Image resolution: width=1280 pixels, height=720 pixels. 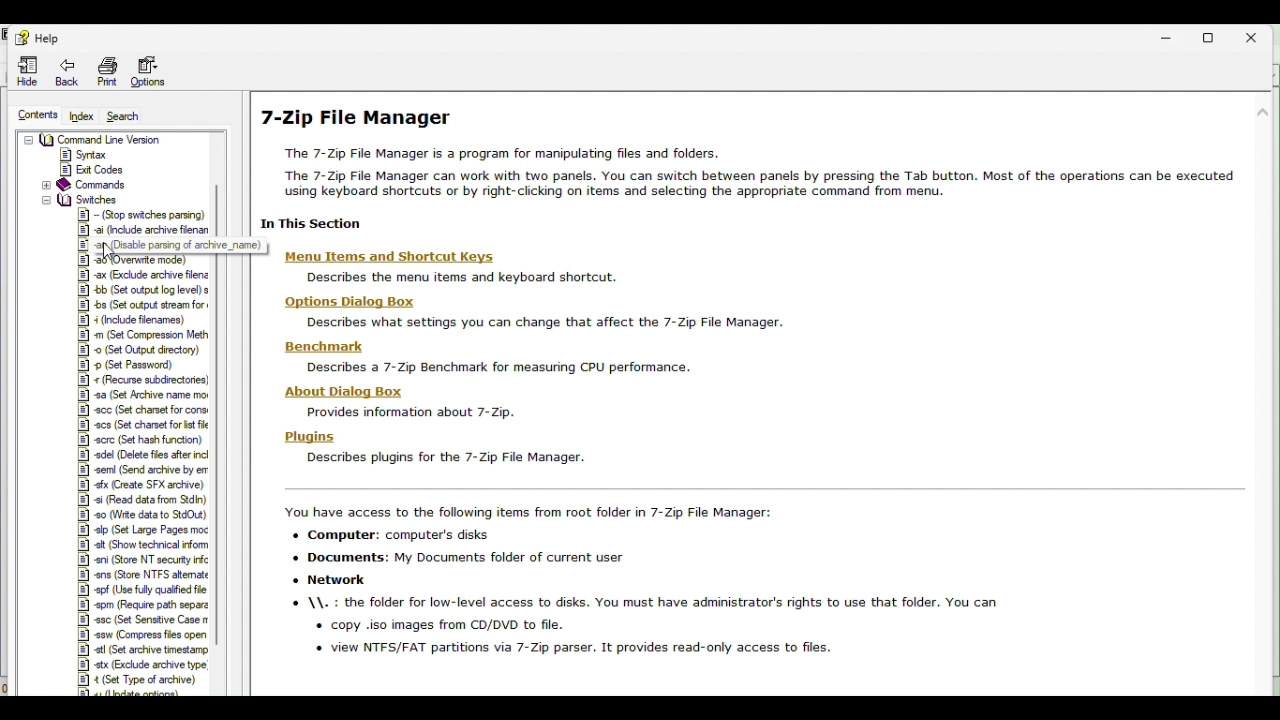 I want to click on |&] esc (Set Sensitive Case n, so click(x=141, y=620).